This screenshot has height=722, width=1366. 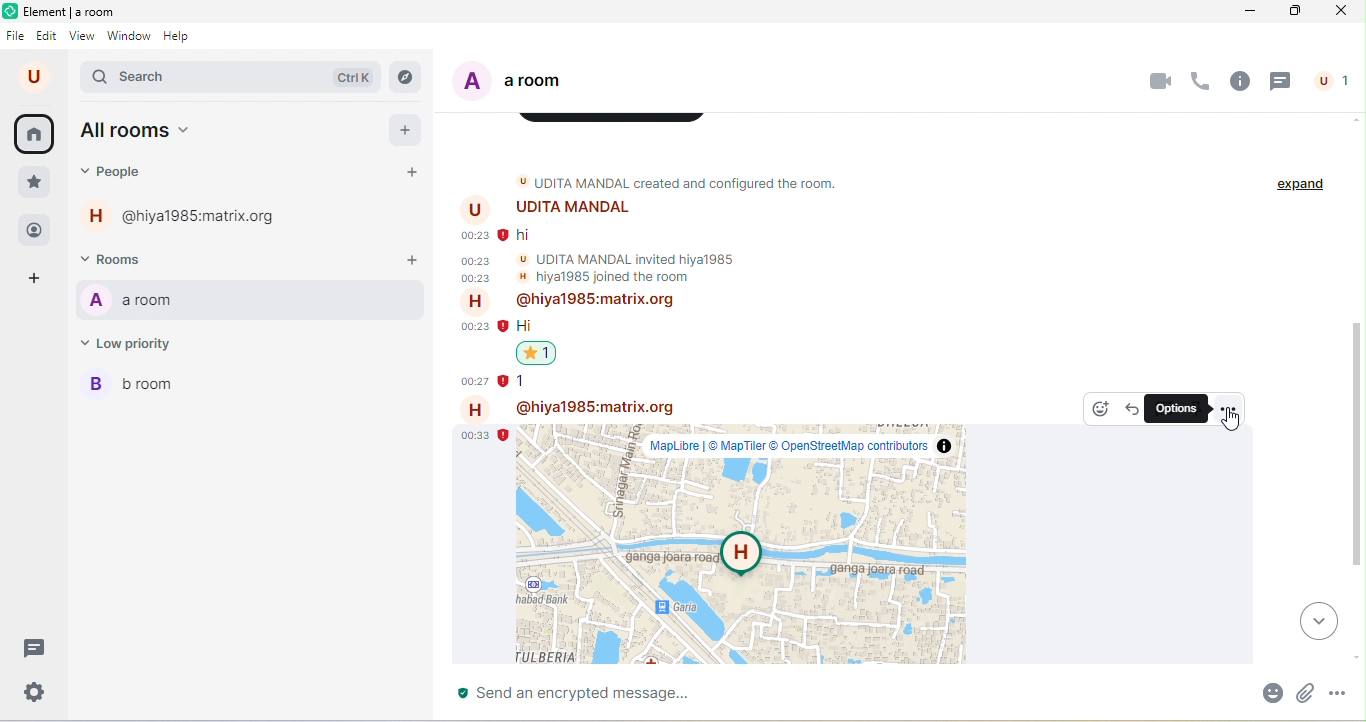 I want to click on drop down, so click(x=1318, y=623).